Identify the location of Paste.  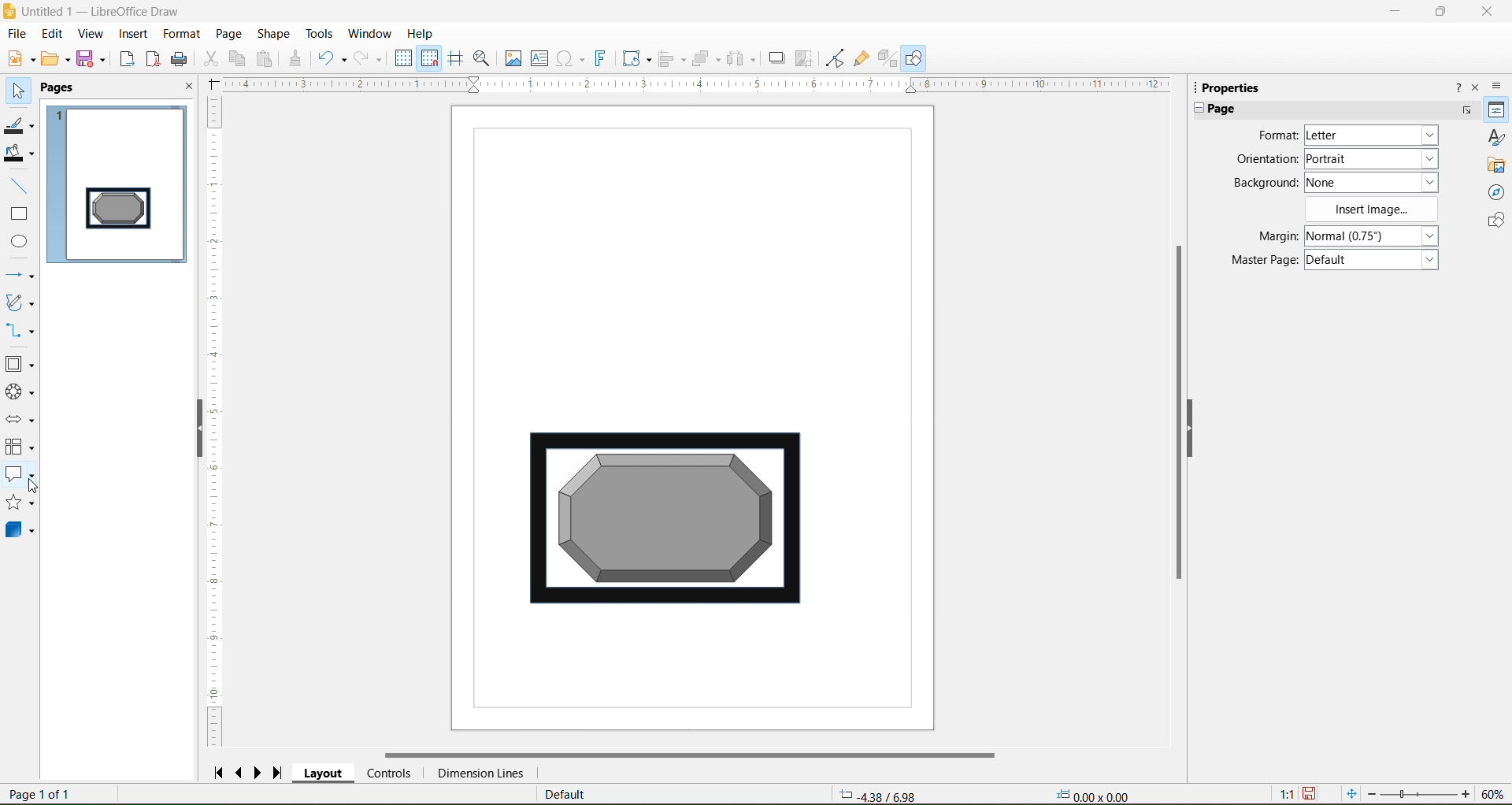
(267, 58).